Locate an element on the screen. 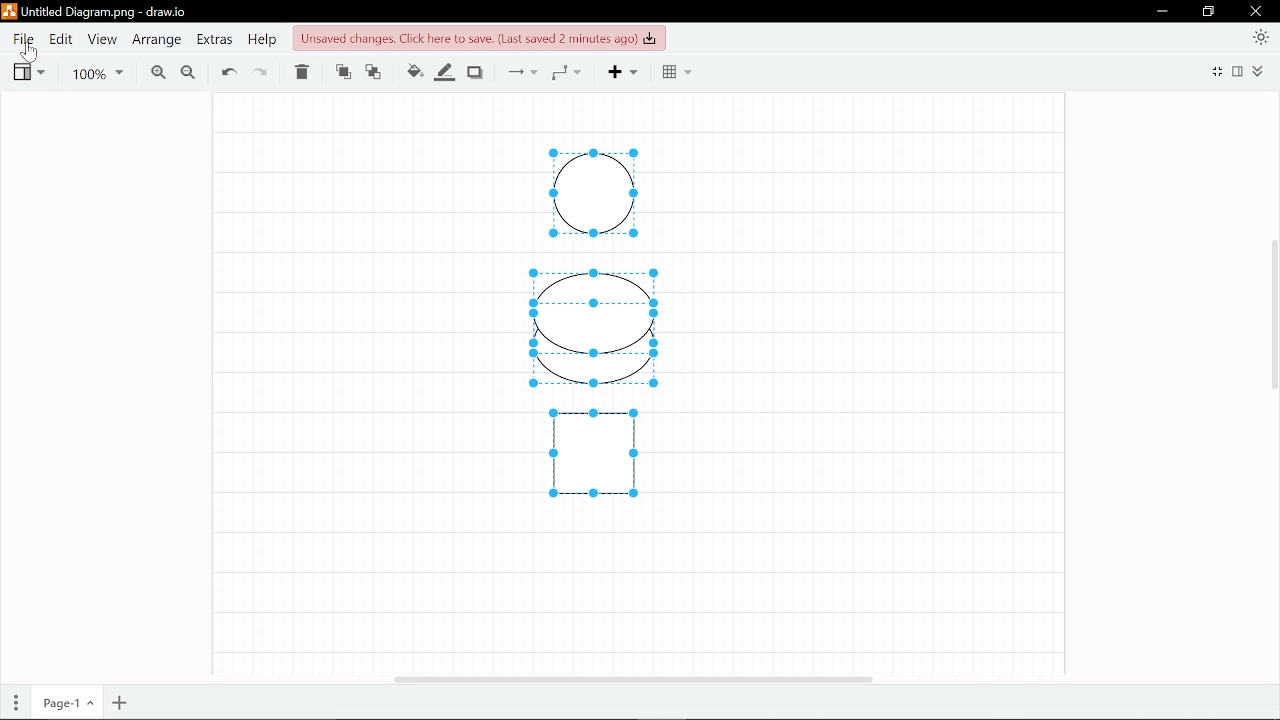 Image resolution: width=1280 pixels, height=720 pixels. Redo is located at coordinates (260, 73).